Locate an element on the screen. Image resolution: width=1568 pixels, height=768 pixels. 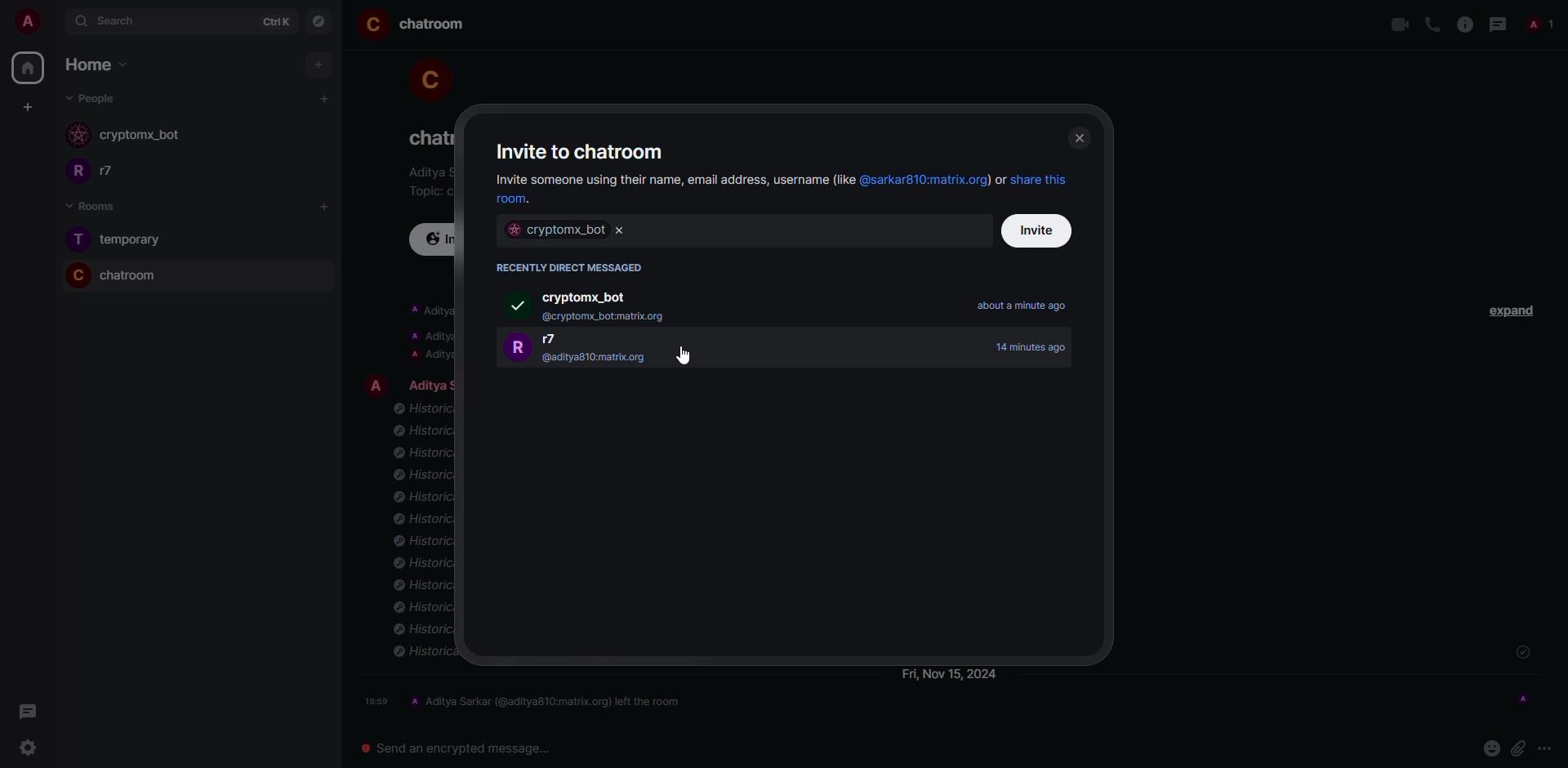
recently is located at coordinates (572, 267).